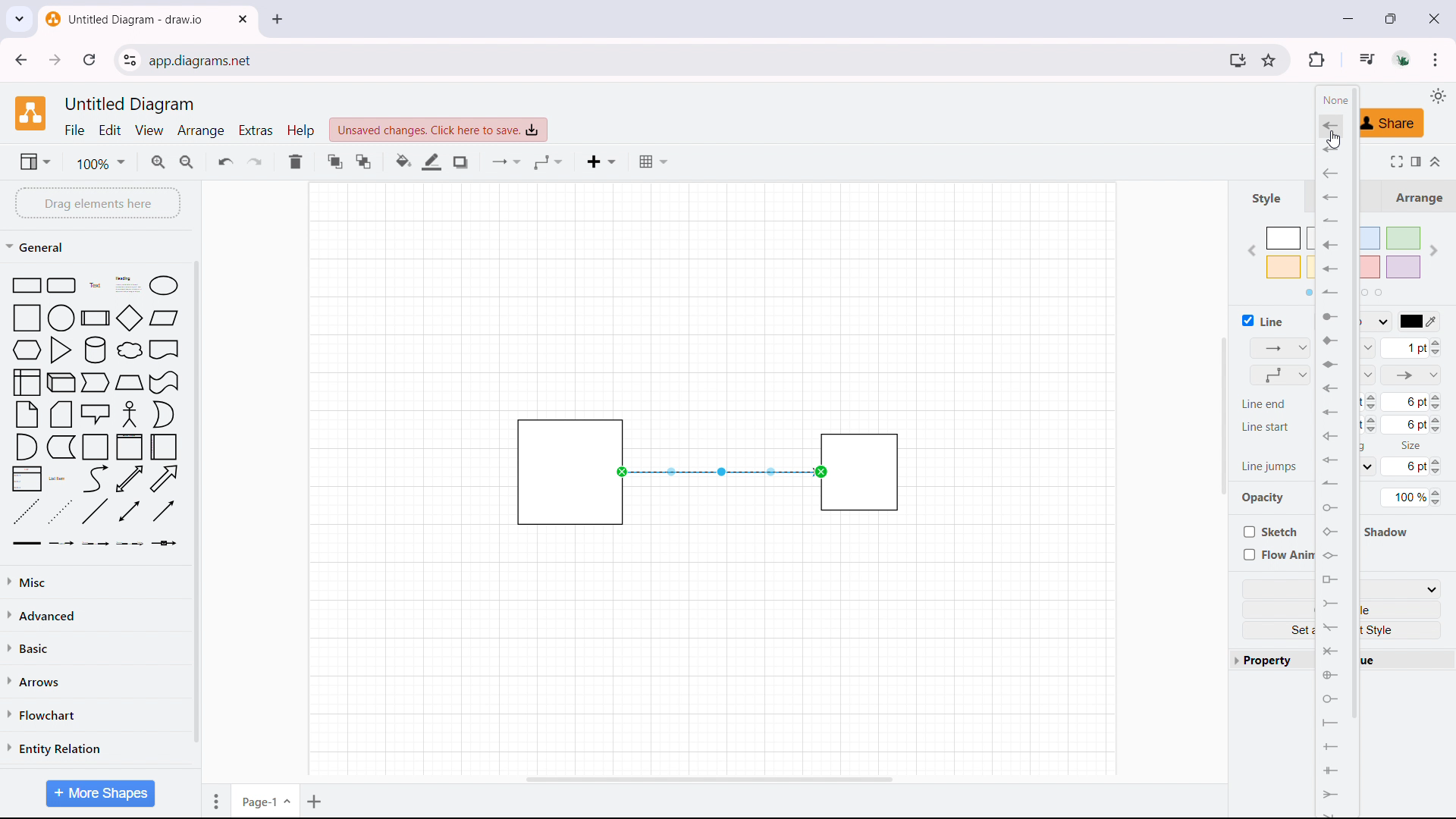 The height and width of the screenshot is (819, 1456). What do you see at coordinates (1436, 59) in the screenshot?
I see `customize and control` at bounding box center [1436, 59].